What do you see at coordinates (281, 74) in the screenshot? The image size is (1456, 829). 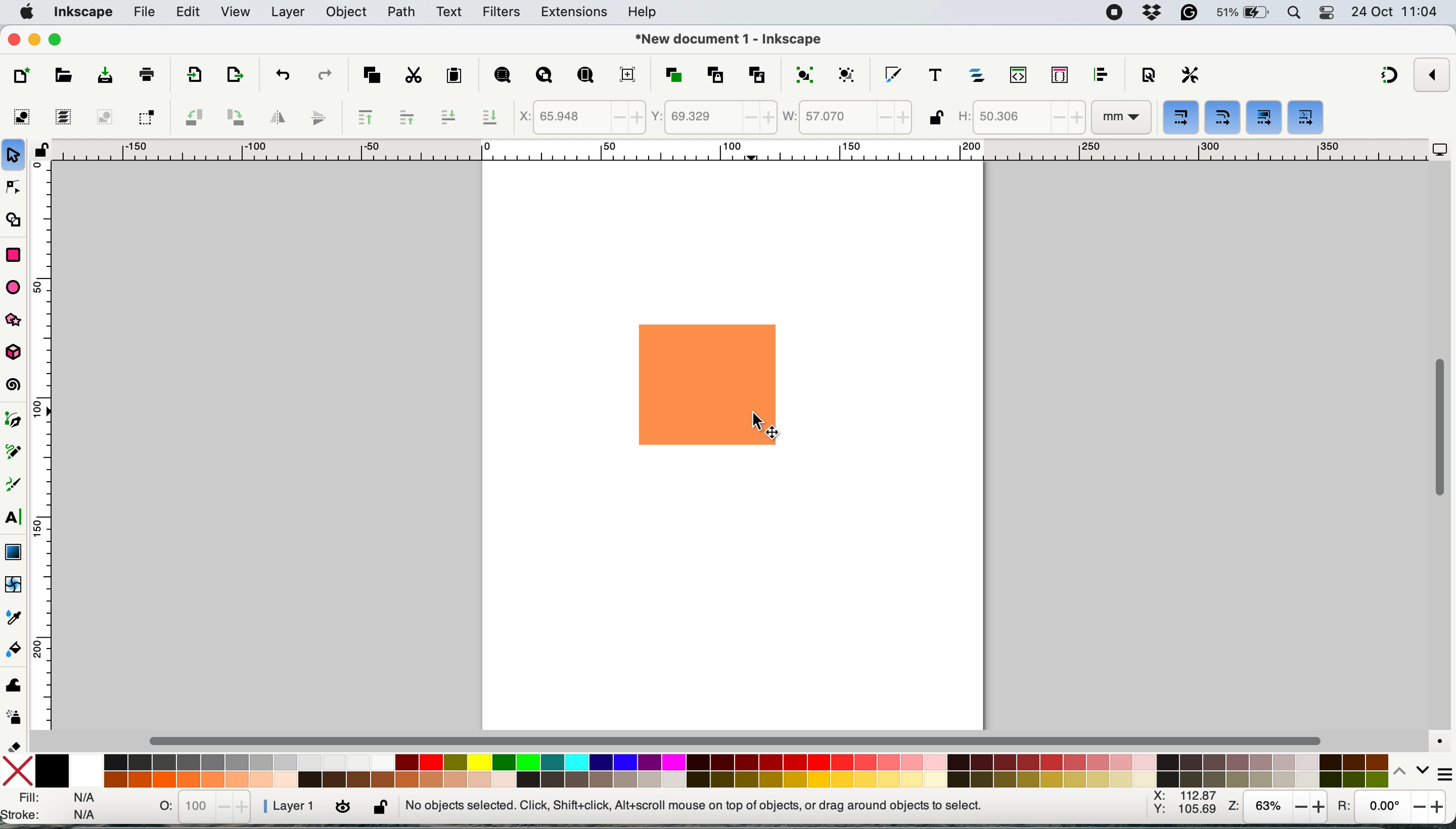 I see `undo` at bounding box center [281, 74].